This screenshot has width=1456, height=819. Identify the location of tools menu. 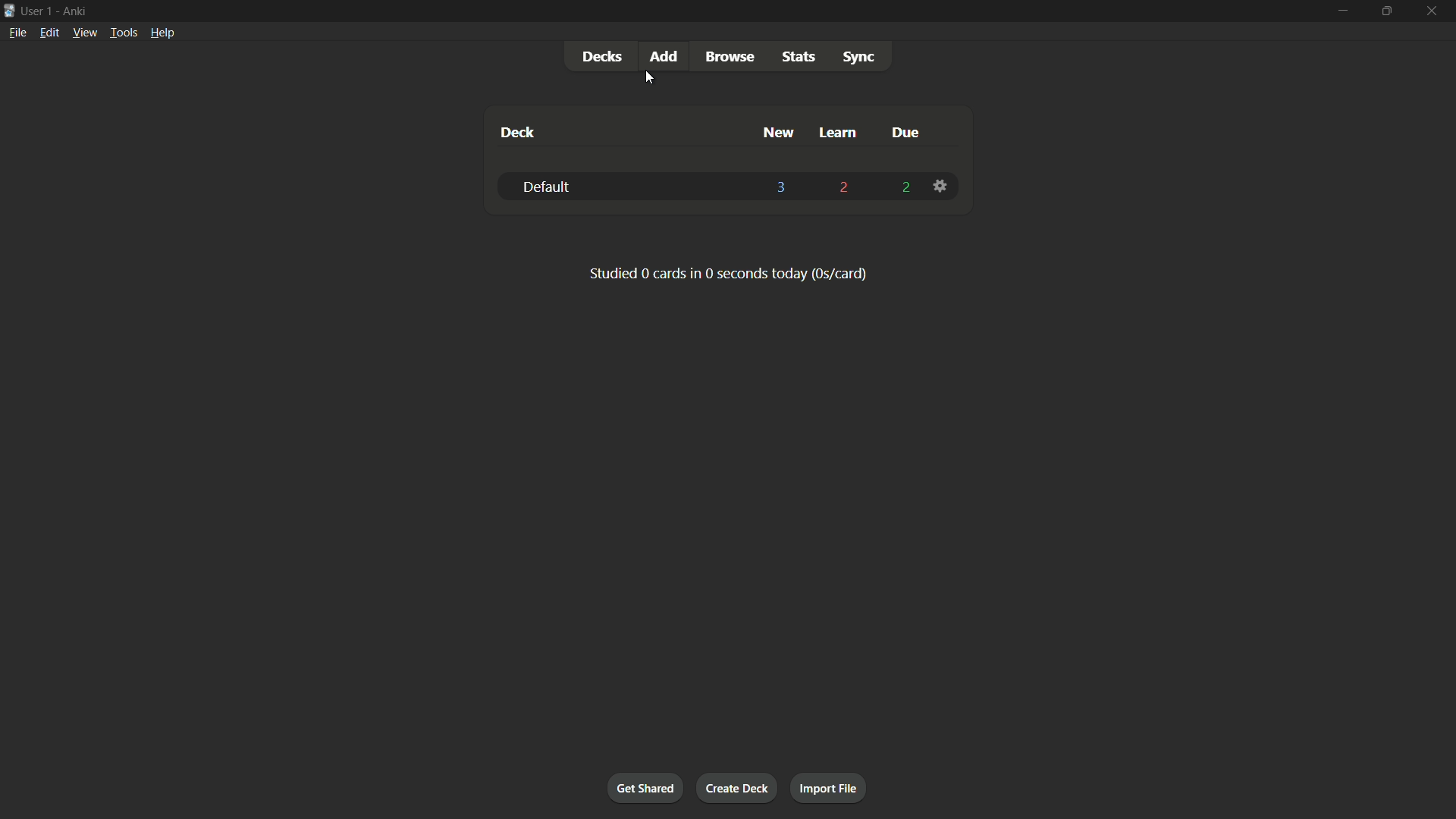
(123, 32).